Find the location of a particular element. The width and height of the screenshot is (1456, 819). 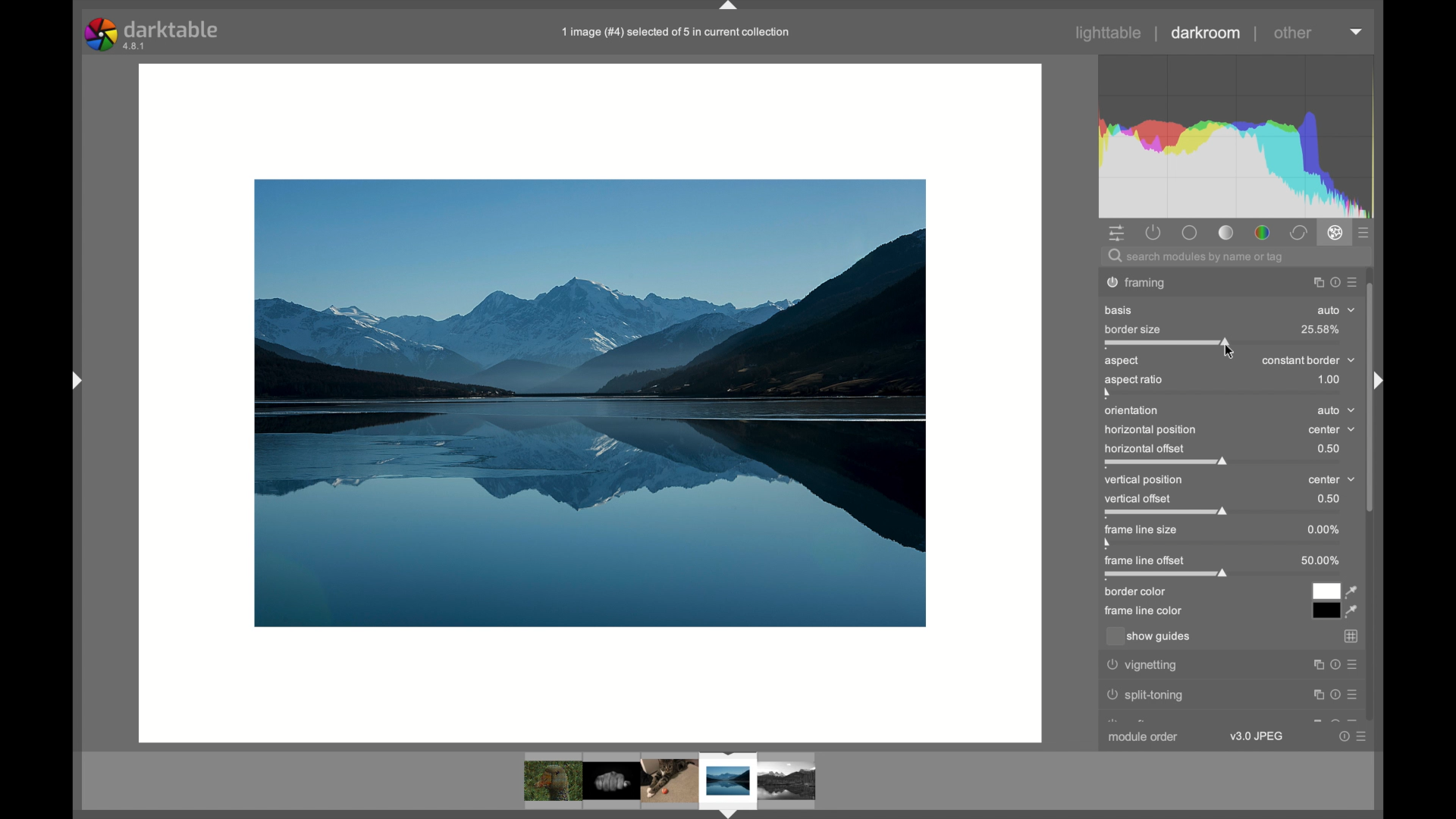

drag handle is located at coordinates (732, 8).